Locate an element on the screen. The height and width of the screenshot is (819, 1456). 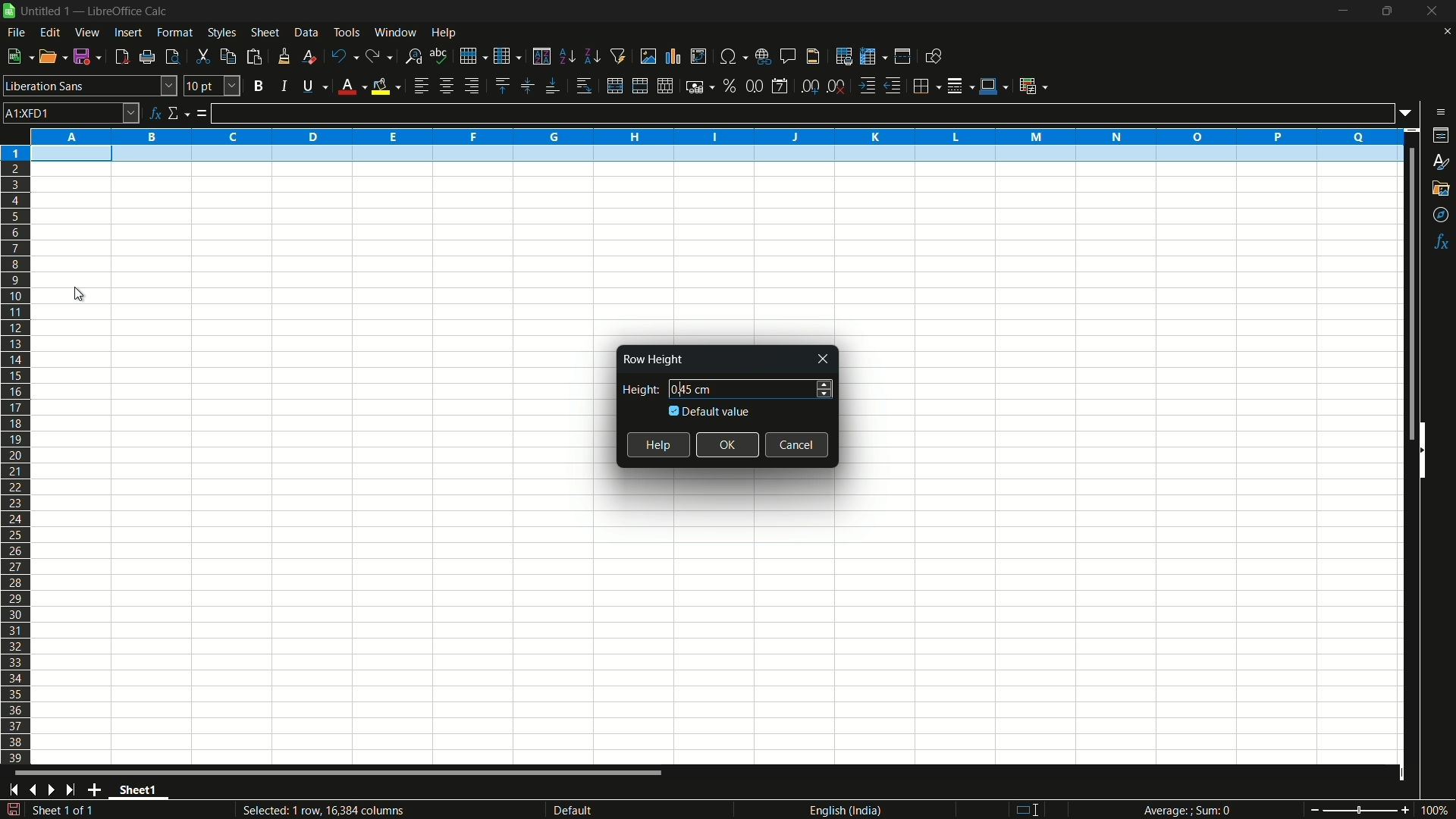
insert or edit pivot table is located at coordinates (698, 56).